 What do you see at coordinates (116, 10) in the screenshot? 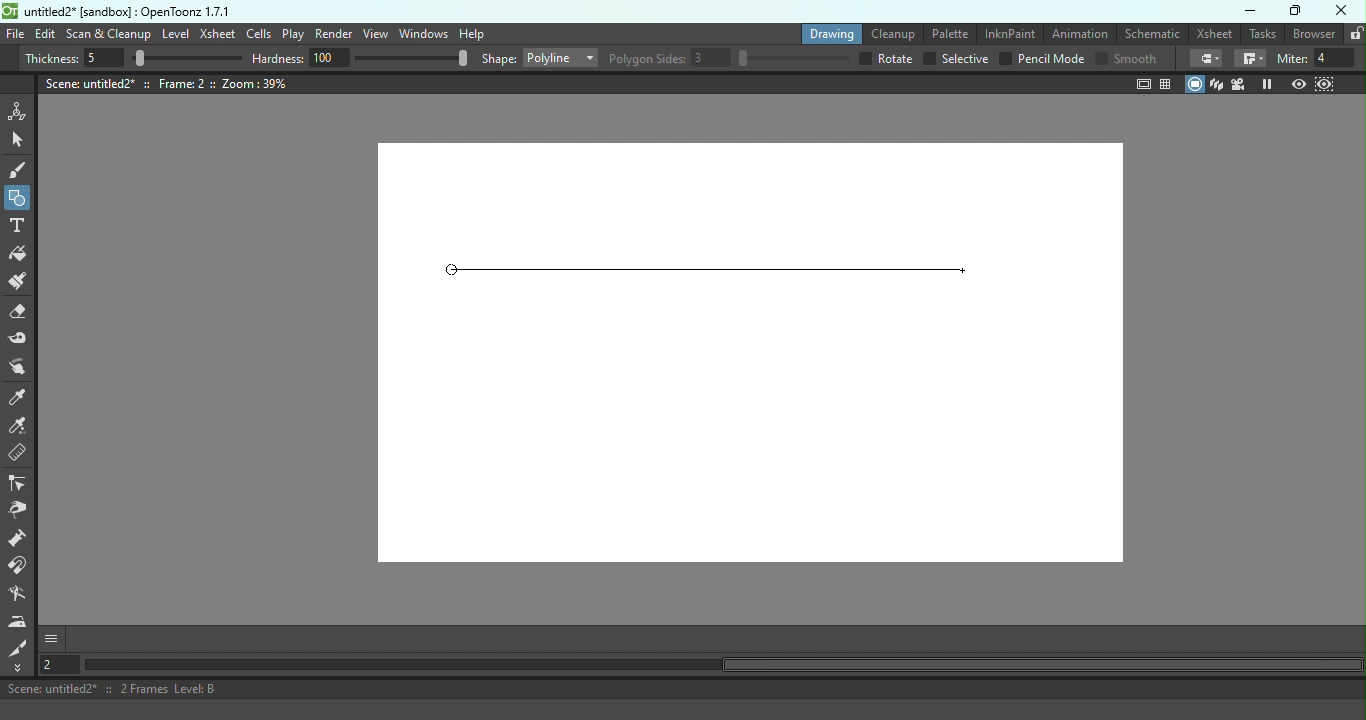
I see `untitled2* [sandbox] : OpenToonz 1.7.1` at bounding box center [116, 10].